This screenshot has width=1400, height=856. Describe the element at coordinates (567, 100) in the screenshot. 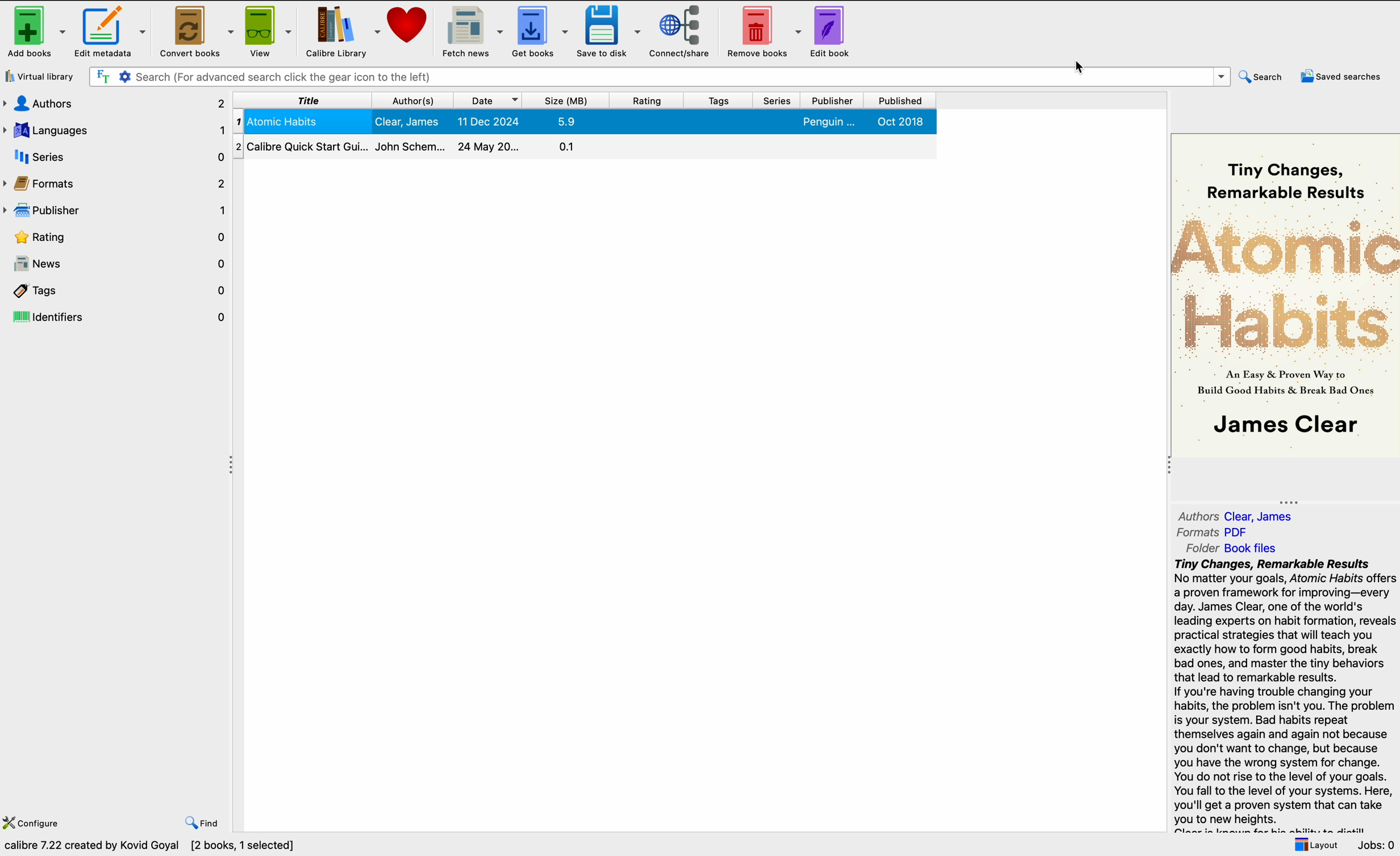

I see `size` at that location.